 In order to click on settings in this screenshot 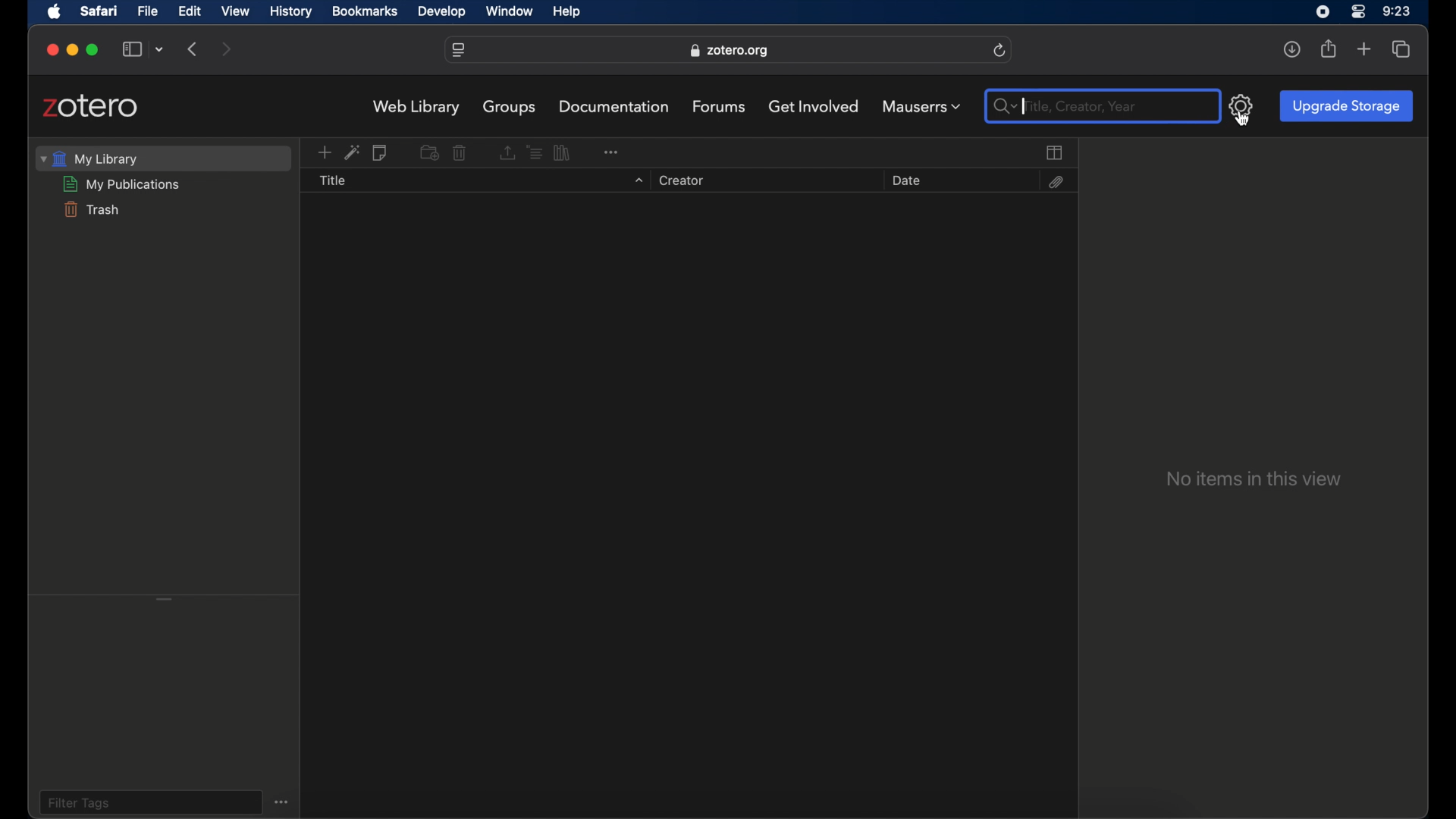, I will do `click(1242, 105)`.